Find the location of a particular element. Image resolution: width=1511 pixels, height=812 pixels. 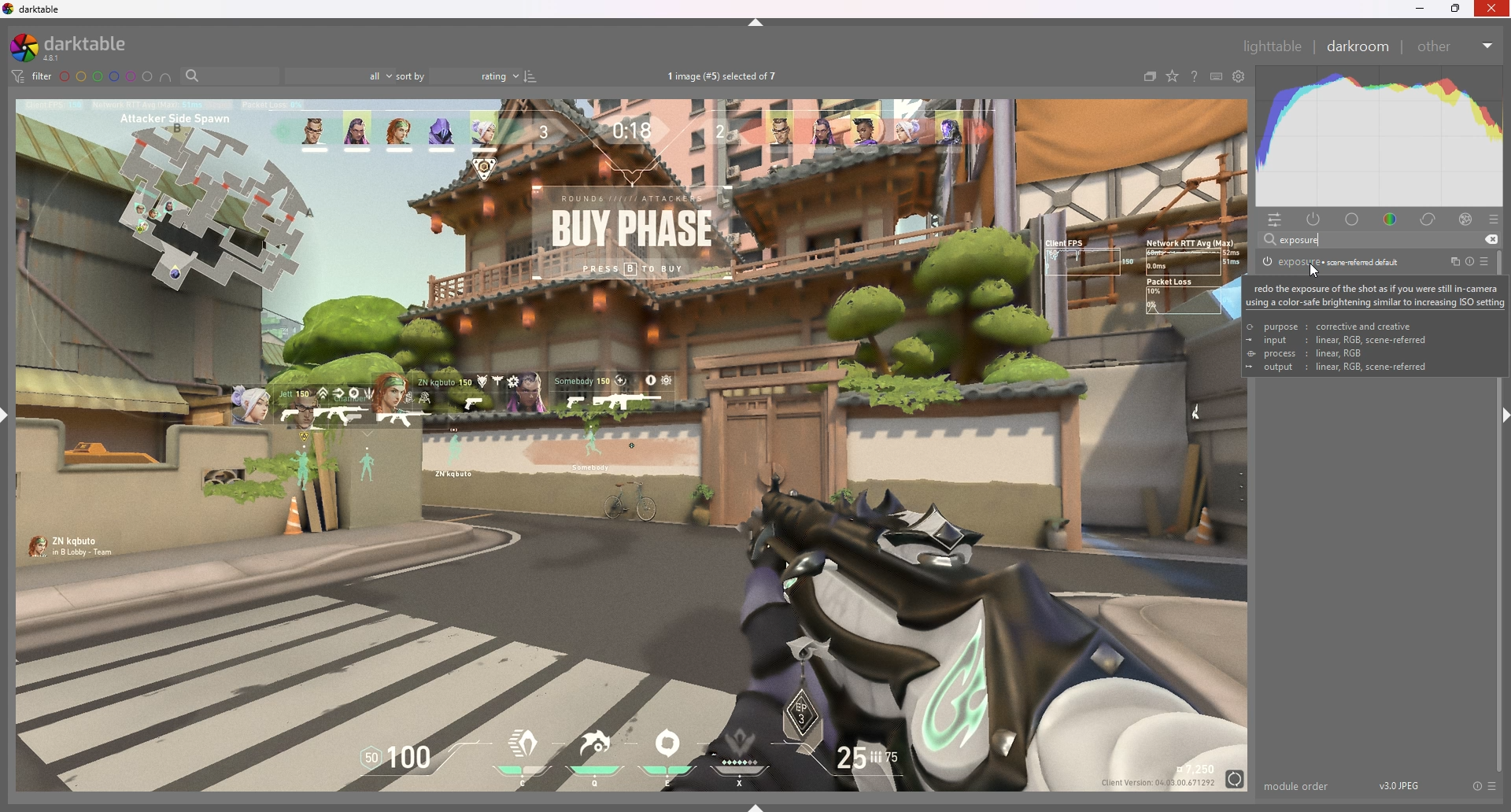

active module is located at coordinates (1316, 220).